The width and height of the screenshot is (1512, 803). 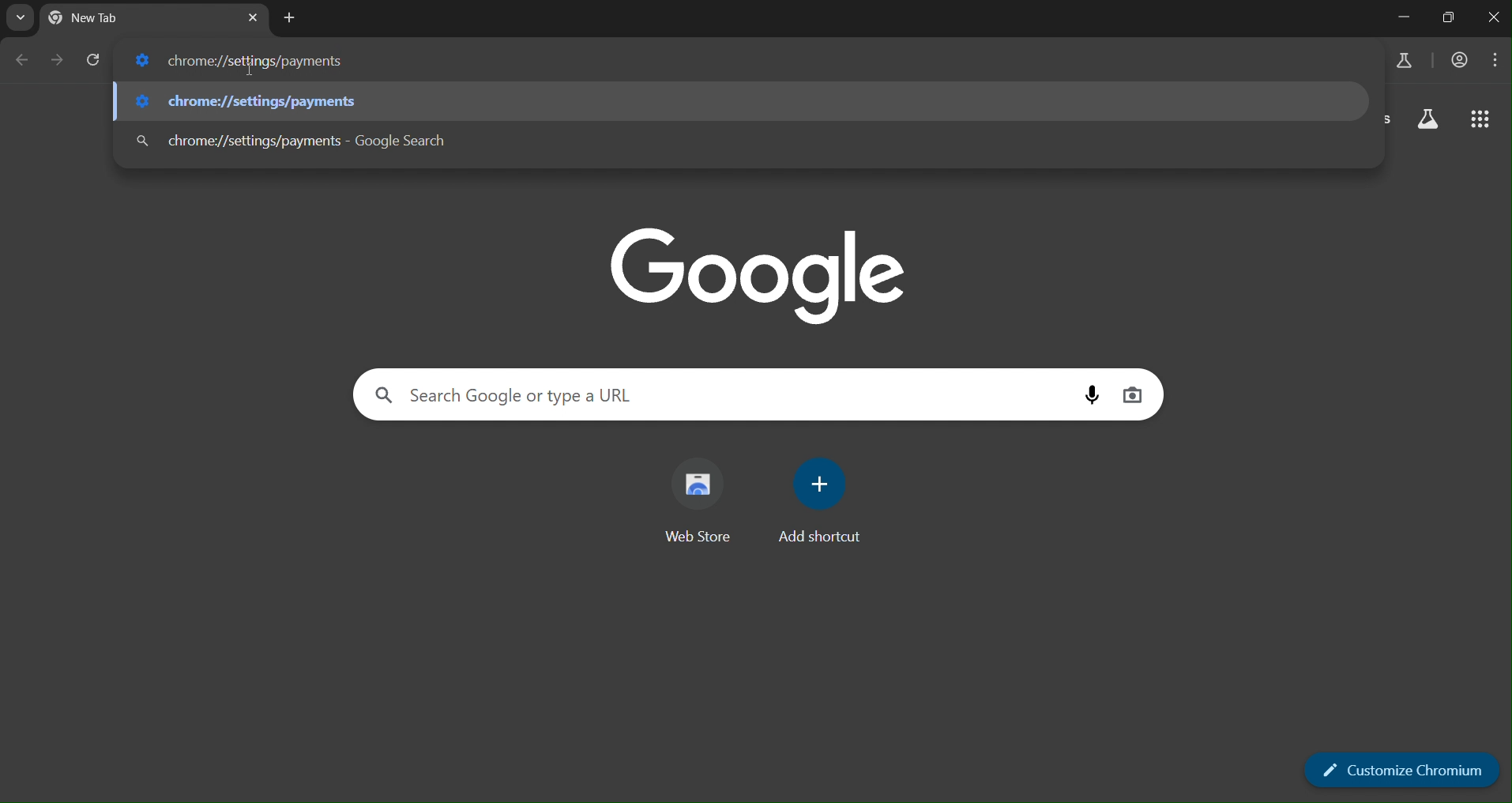 I want to click on close tab, so click(x=254, y=17).